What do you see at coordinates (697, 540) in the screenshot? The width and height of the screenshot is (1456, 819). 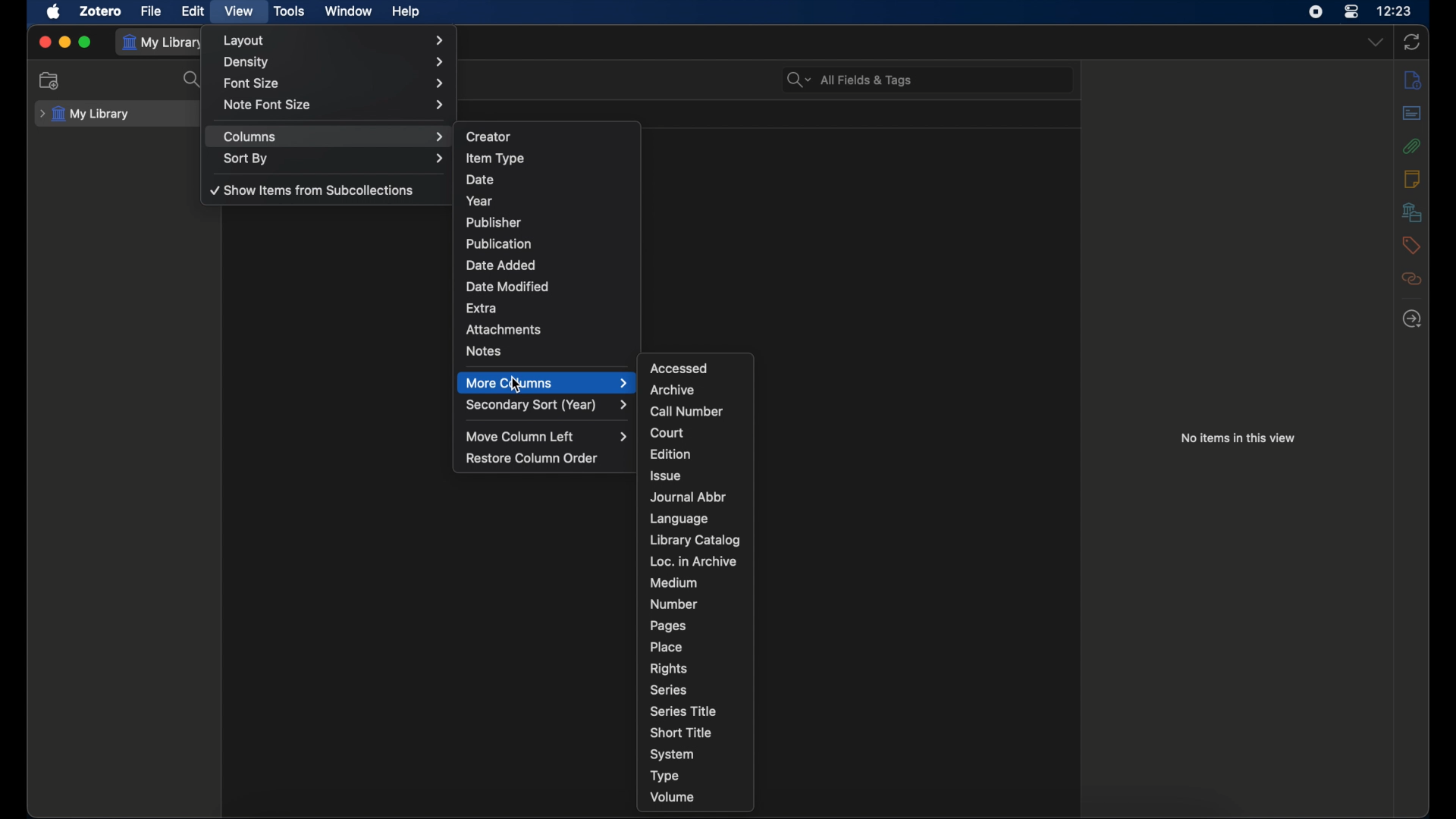 I see `library catalog` at bounding box center [697, 540].